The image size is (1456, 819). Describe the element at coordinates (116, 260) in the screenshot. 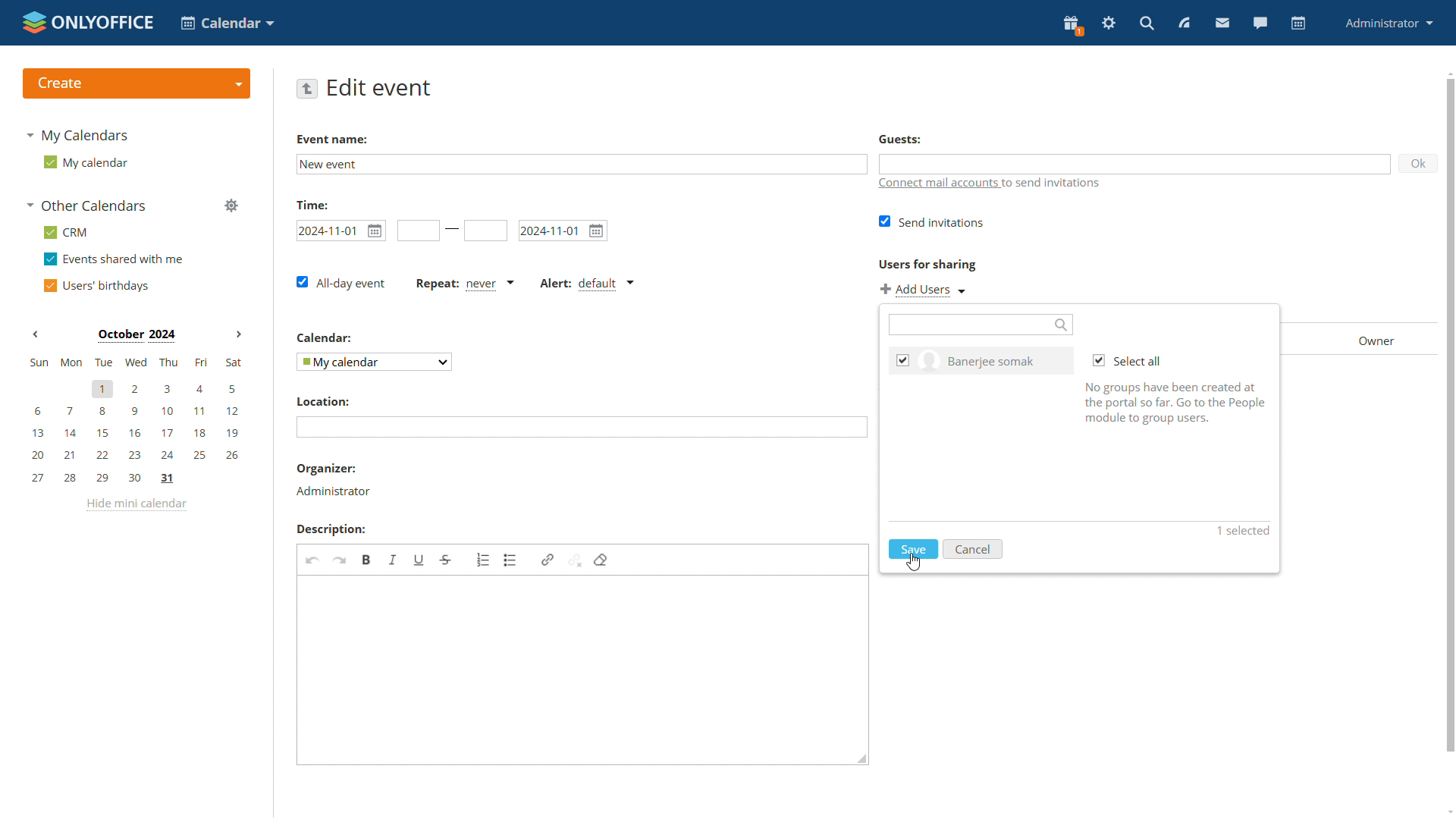

I see `events shared with me` at that location.